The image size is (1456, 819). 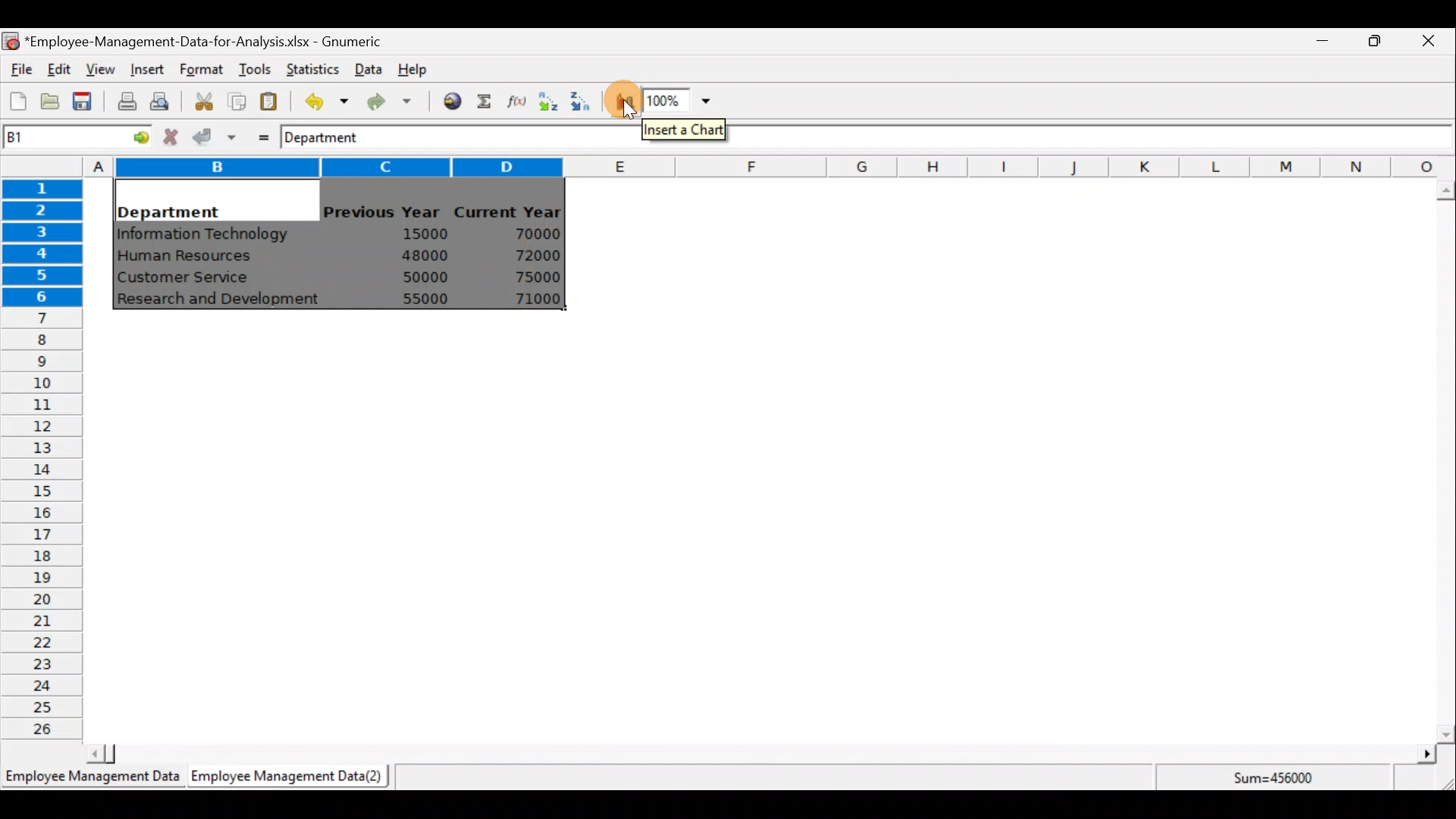 I want to click on Scroll bar, so click(x=758, y=754).